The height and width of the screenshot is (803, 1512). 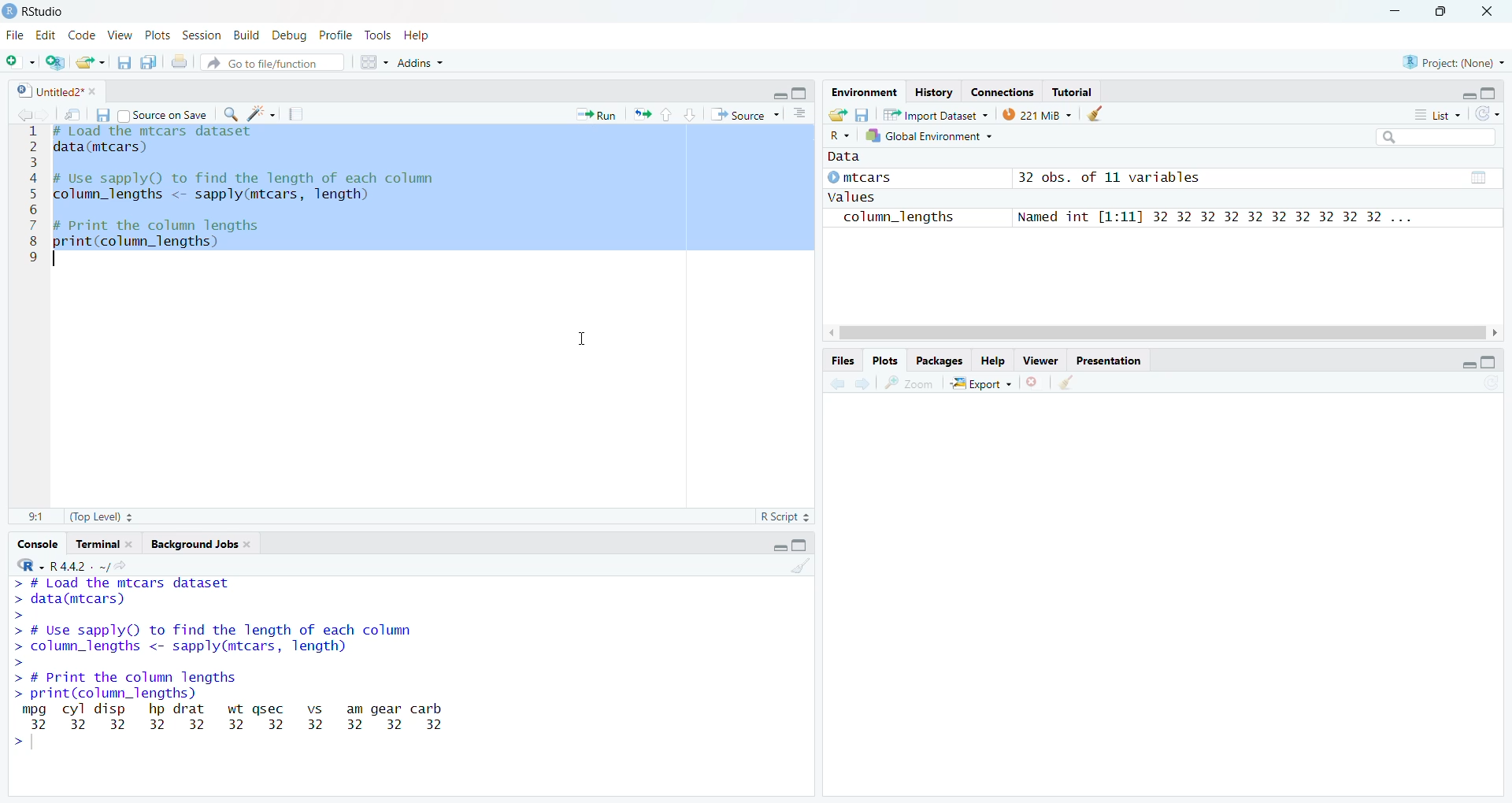 What do you see at coordinates (802, 92) in the screenshot?
I see `Full height` at bounding box center [802, 92].